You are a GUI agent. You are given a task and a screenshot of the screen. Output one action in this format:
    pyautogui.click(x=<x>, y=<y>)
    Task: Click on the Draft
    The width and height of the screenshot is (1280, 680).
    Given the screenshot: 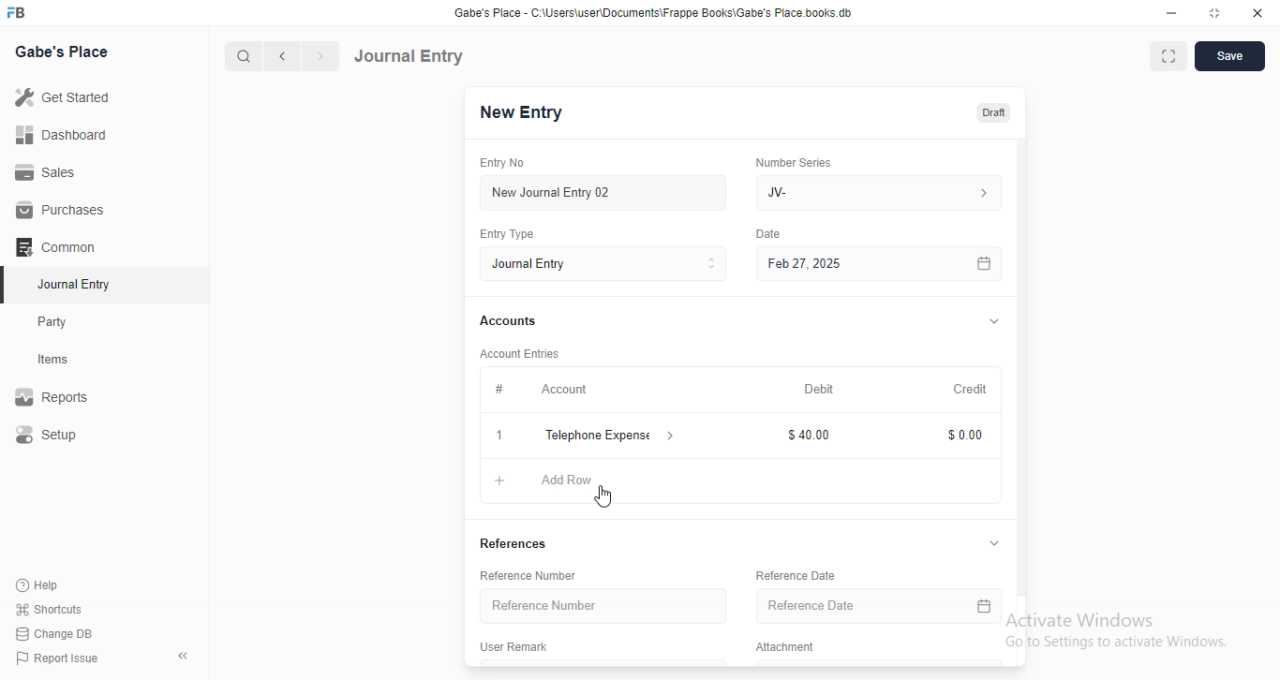 What is the action you would take?
    pyautogui.click(x=989, y=112)
    